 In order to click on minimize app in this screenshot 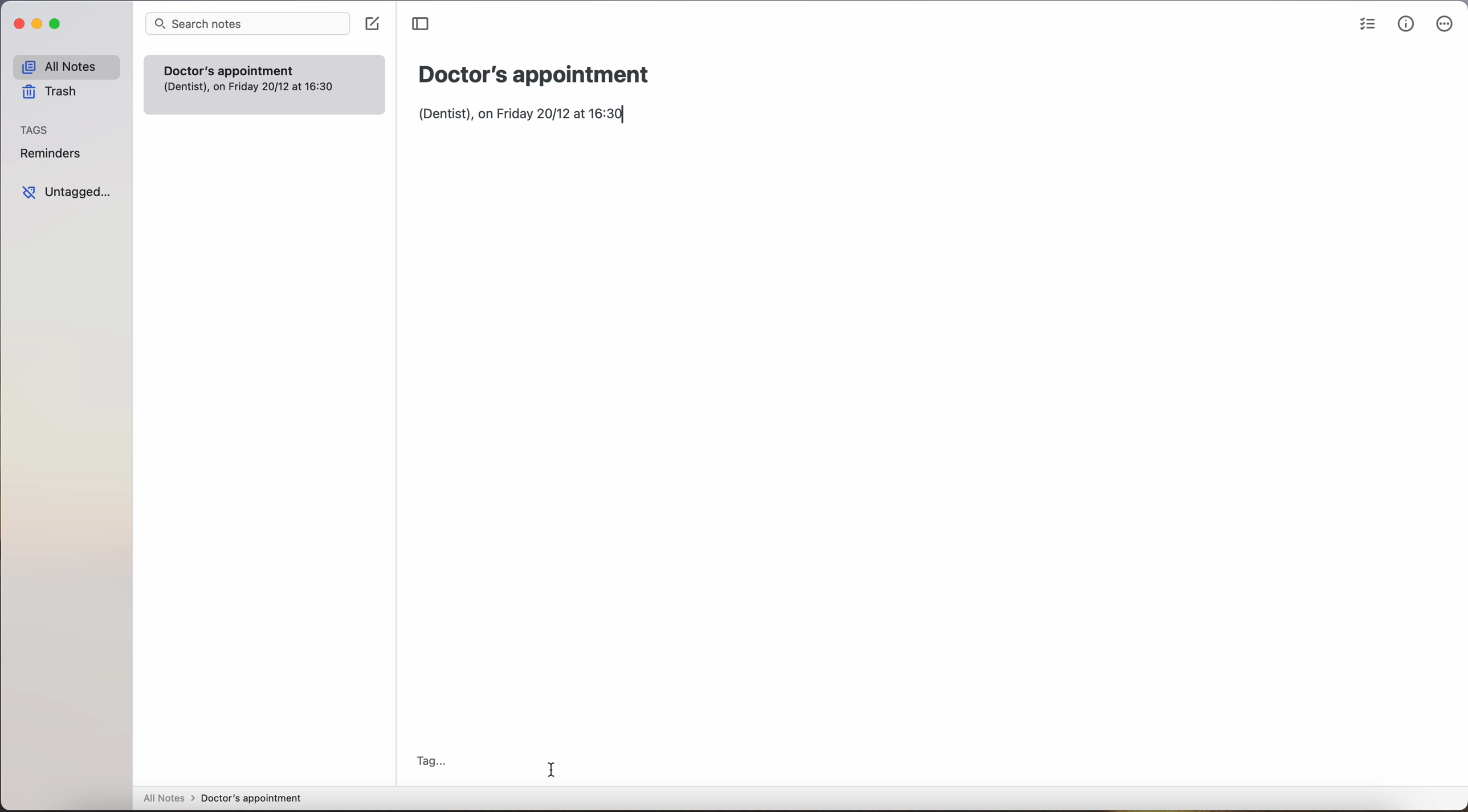, I will do `click(38, 25)`.